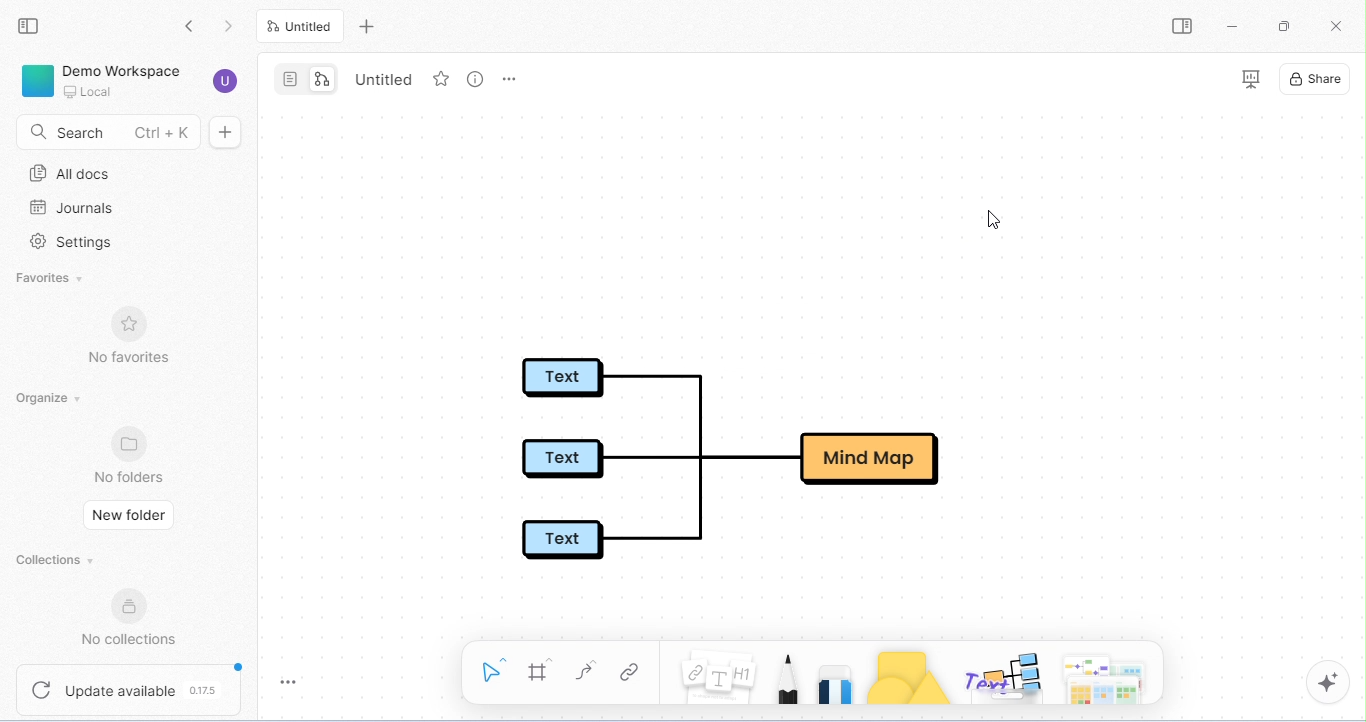 This screenshot has width=1366, height=722. What do you see at coordinates (103, 80) in the screenshot?
I see `demo workspace` at bounding box center [103, 80].